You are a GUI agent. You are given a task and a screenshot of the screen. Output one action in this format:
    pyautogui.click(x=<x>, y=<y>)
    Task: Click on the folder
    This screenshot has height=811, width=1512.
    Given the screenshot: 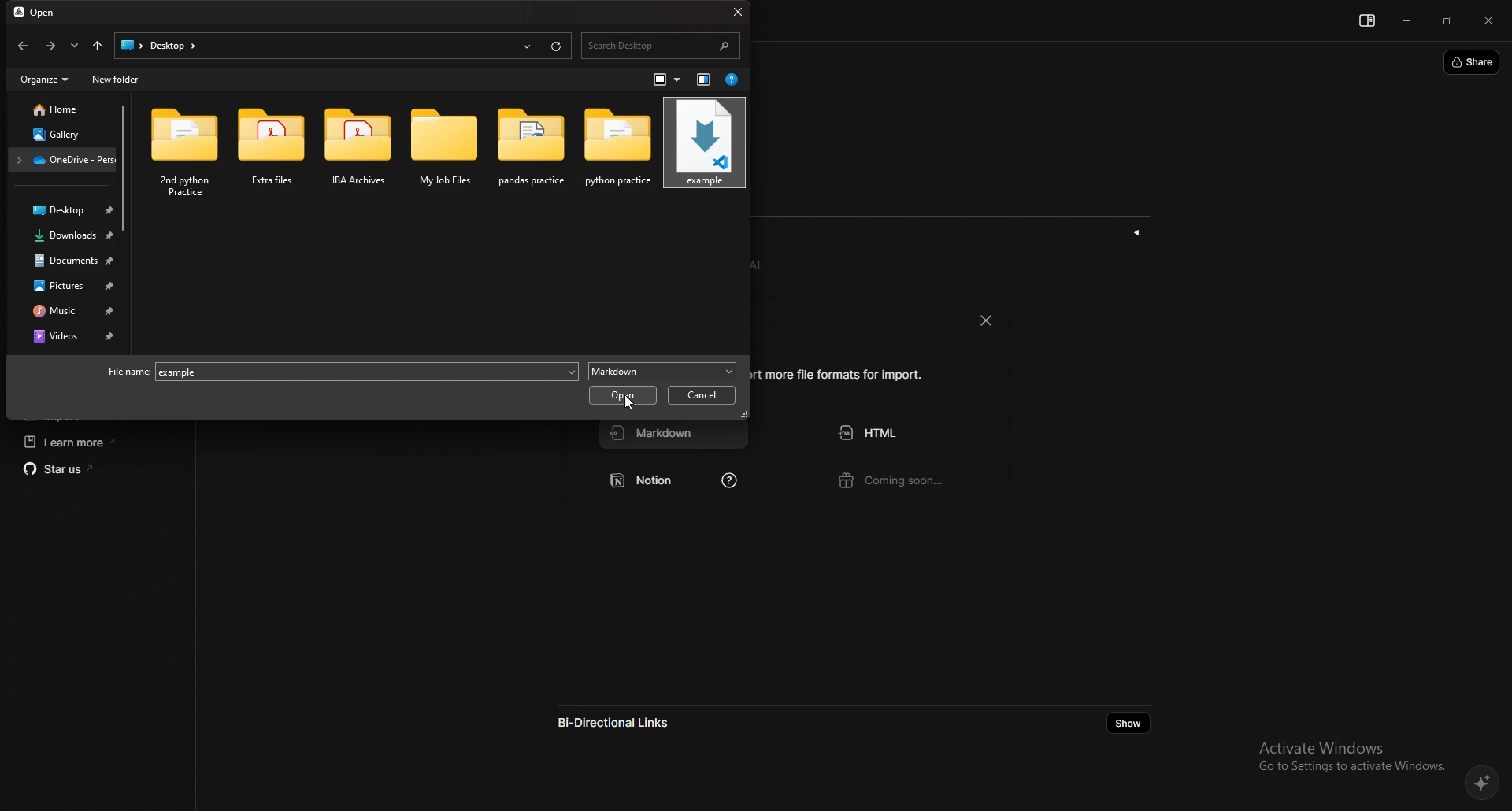 What is the action you would take?
    pyautogui.click(x=532, y=154)
    